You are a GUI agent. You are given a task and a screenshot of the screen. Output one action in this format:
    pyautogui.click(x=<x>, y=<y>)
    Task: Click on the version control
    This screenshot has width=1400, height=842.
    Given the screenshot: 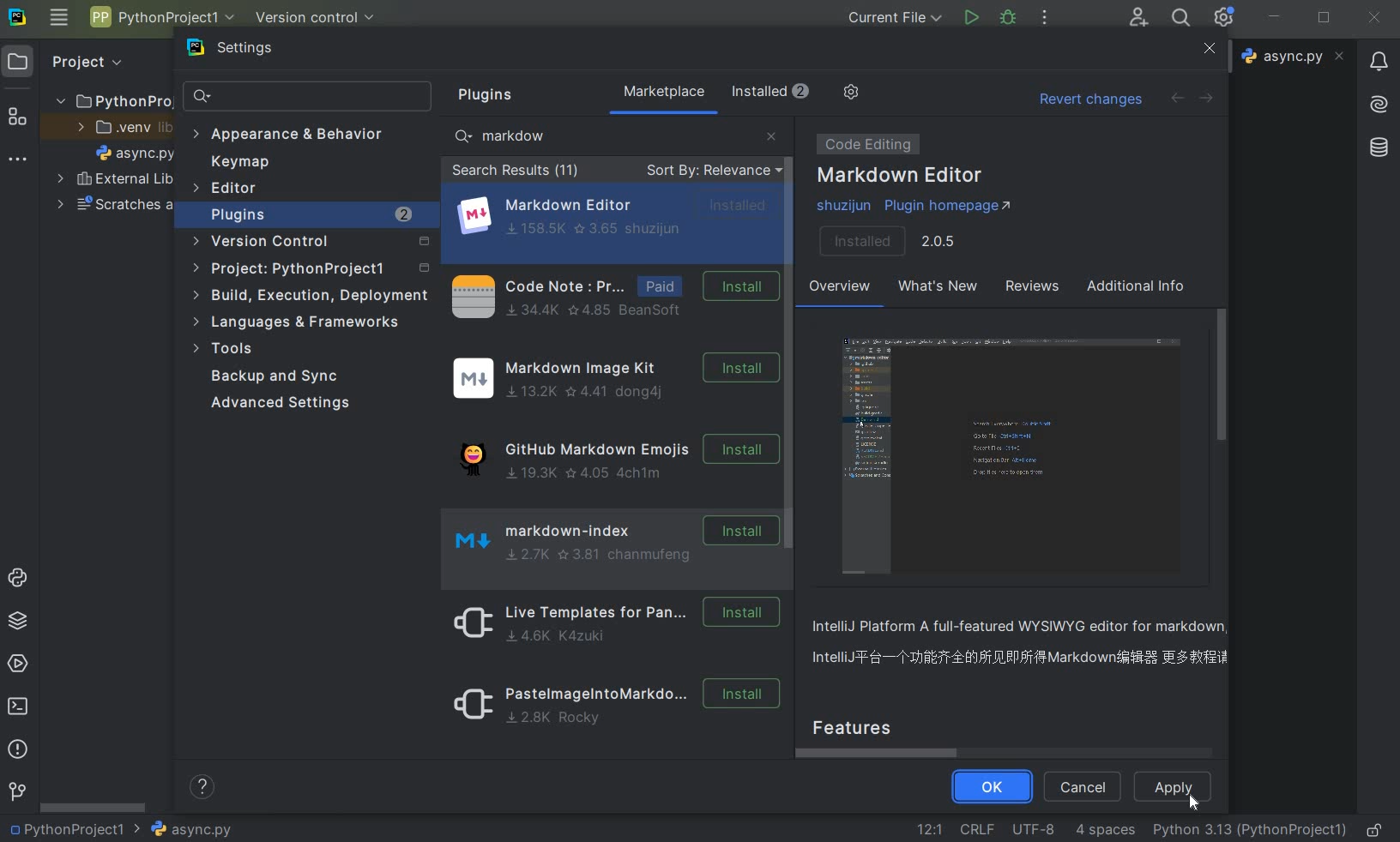 What is the action you would take?
    pyautogui.click(x=311, y=244)
    